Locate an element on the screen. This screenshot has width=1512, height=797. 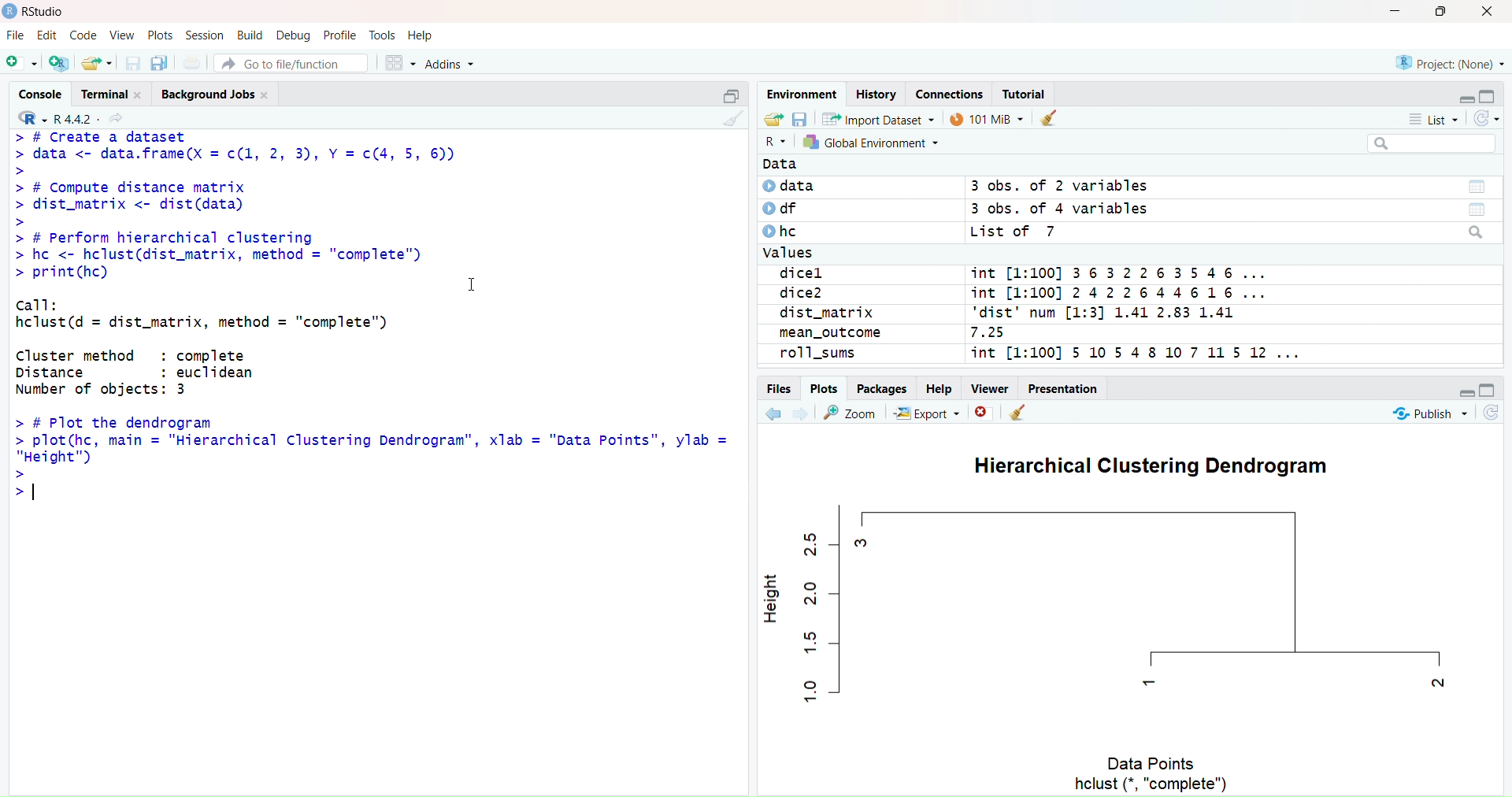
Plot is located at coordinates (1124, 647).